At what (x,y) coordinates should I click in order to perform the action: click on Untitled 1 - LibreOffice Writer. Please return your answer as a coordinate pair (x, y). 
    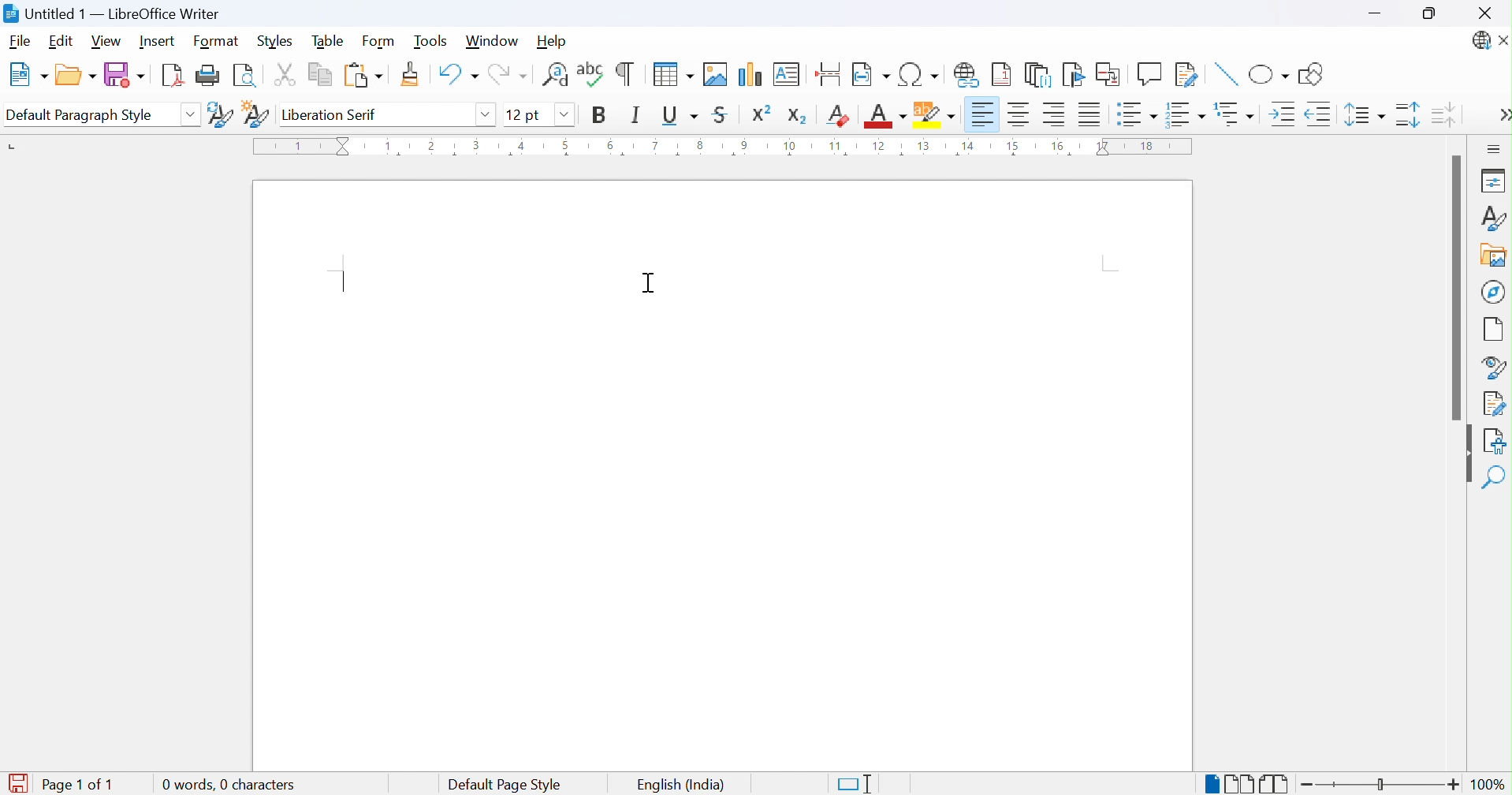
    Looking at the image, I should click on (114, 13).